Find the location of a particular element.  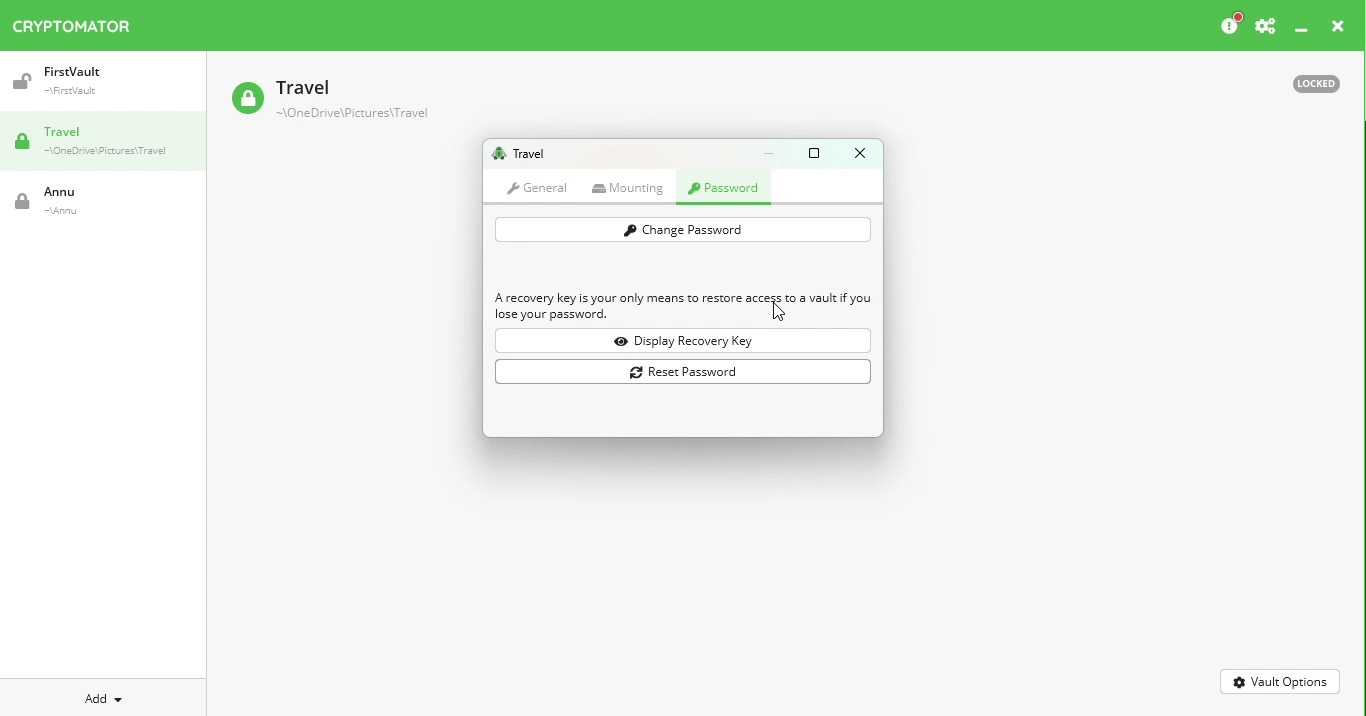

Preferences is located at coordinates (1265, 27).